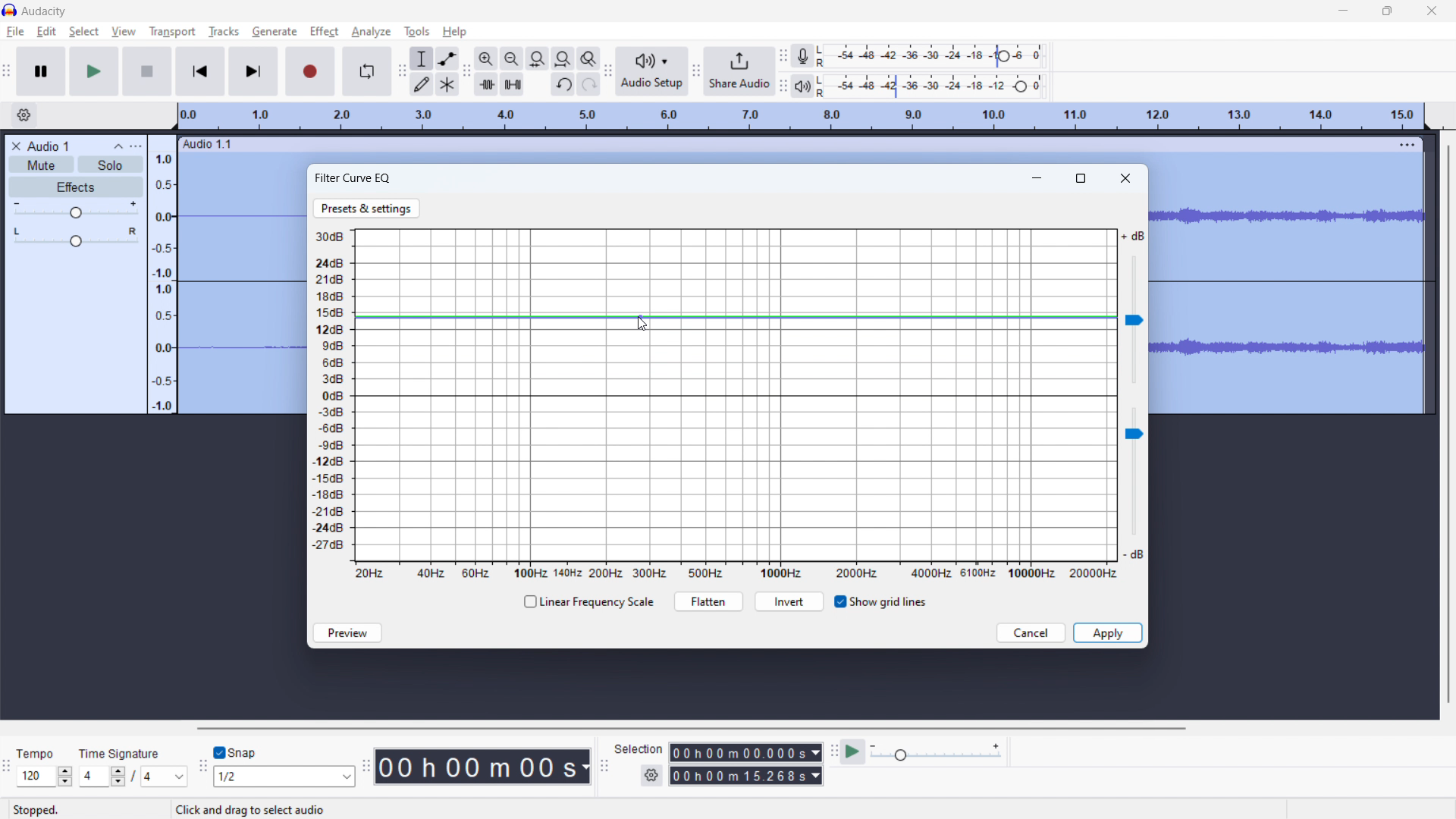  I want to click on playback meter, so click(807, 85).